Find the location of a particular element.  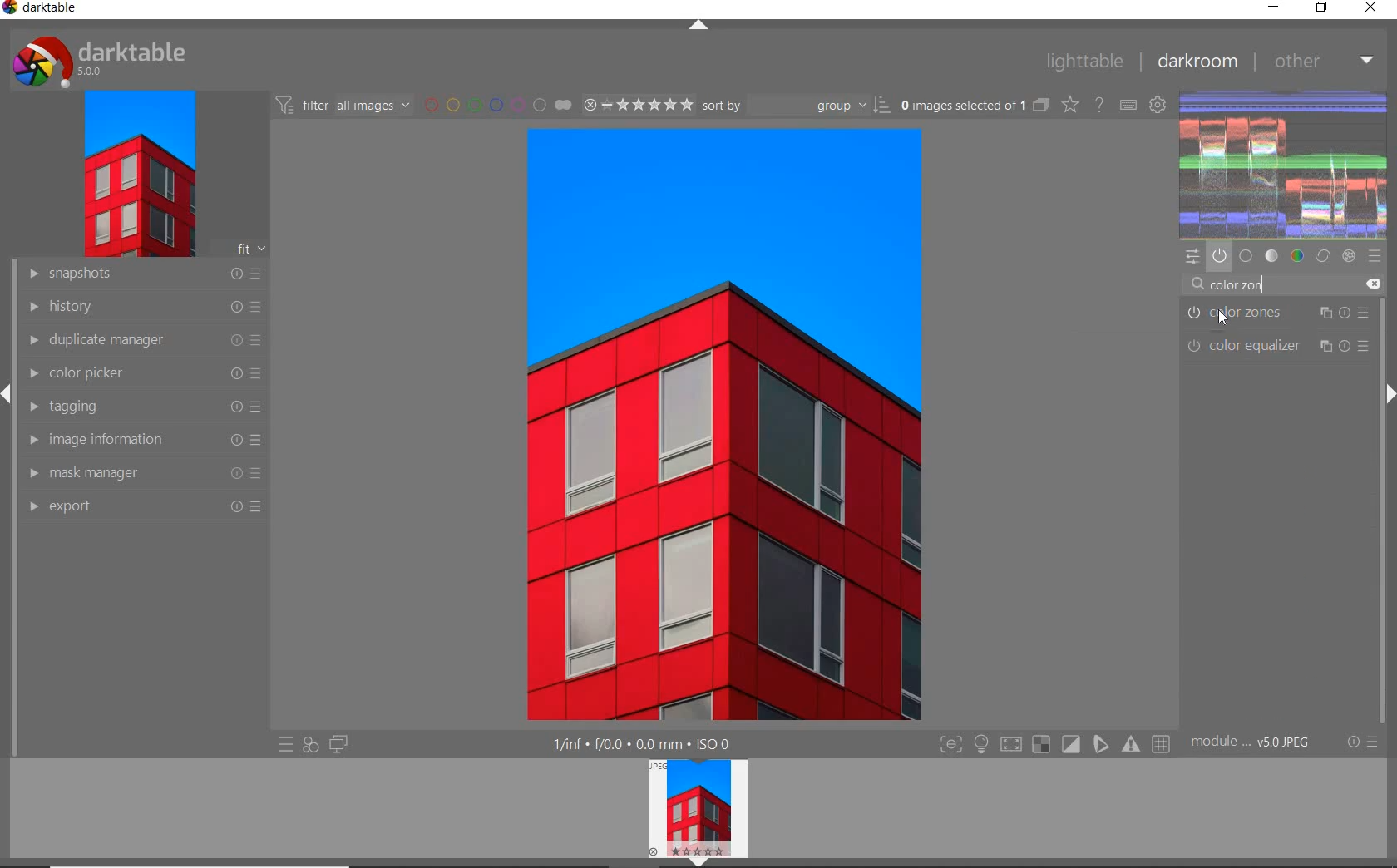

selected Image range rating is located at coordinates (639, 104).